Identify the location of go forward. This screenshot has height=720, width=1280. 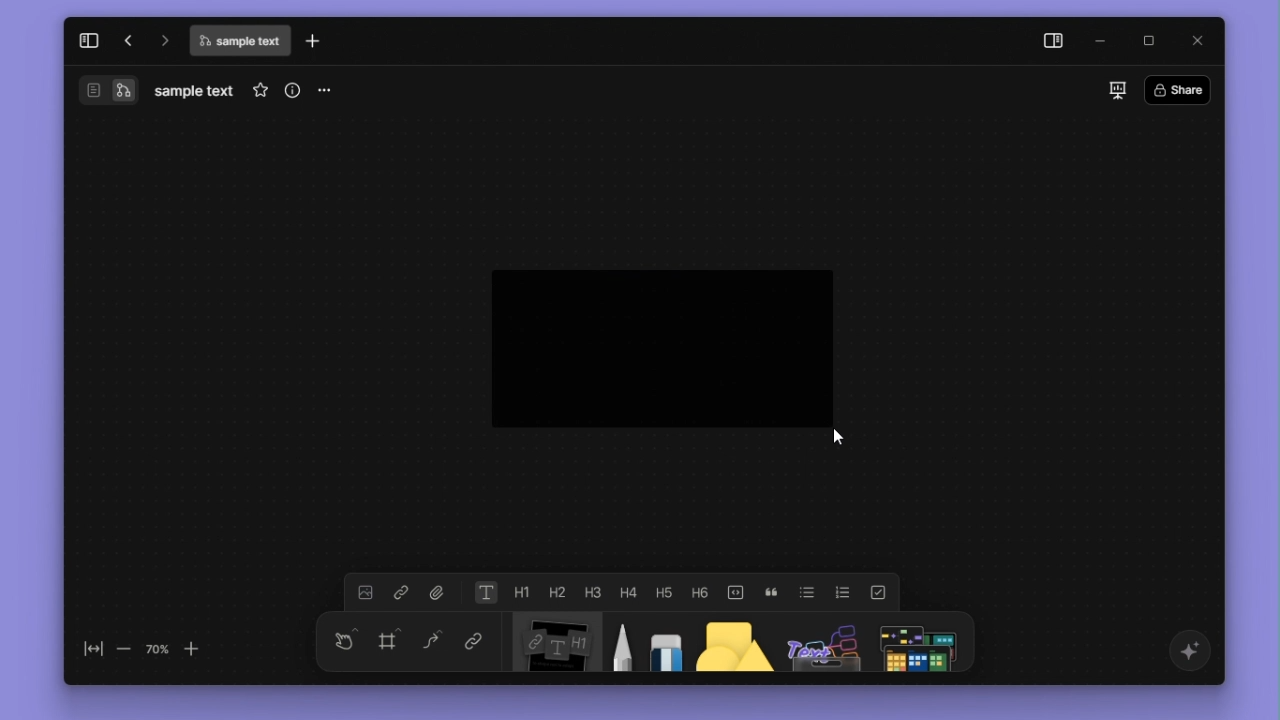
(162, 39).